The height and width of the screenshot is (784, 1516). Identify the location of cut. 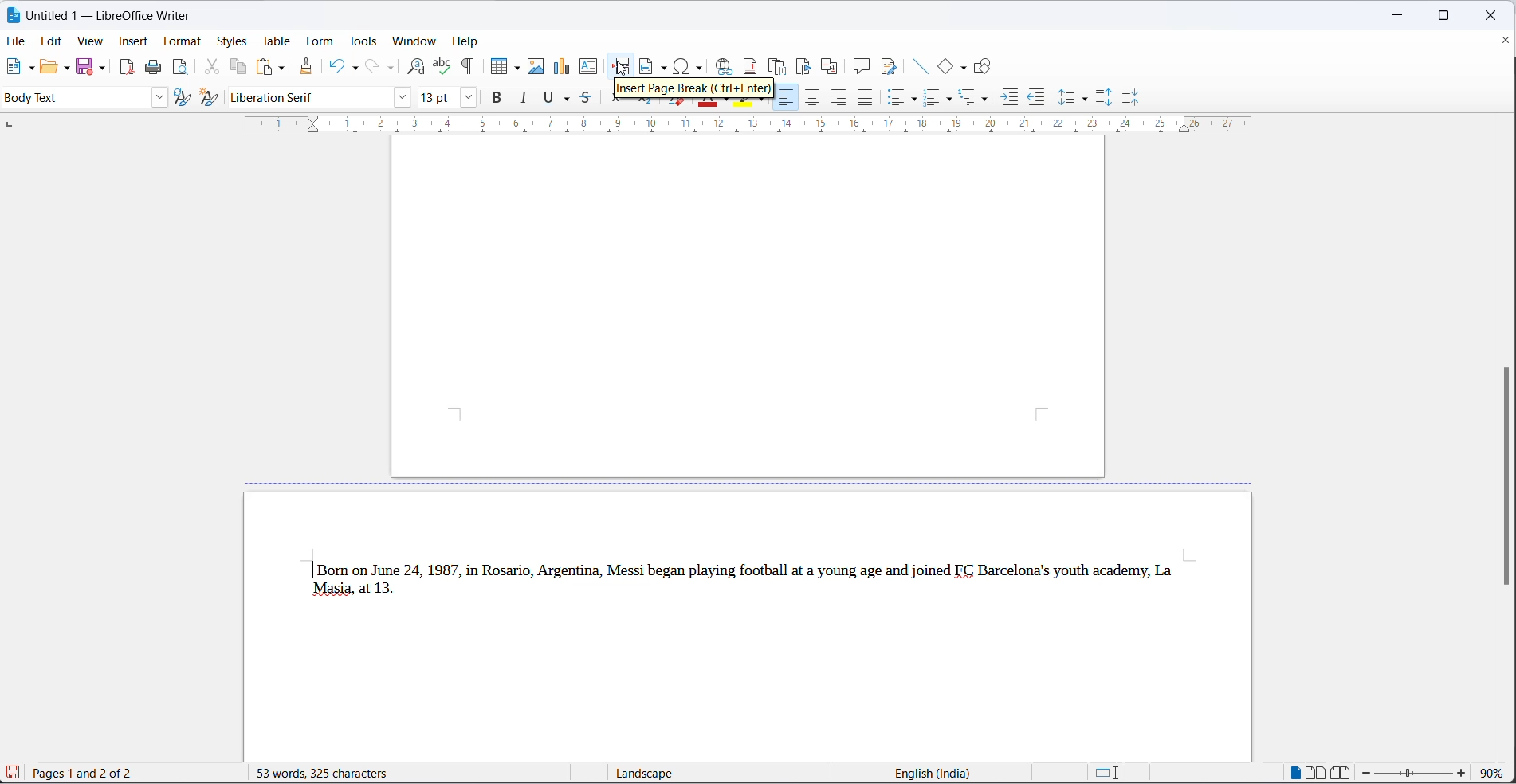
(208, 68).